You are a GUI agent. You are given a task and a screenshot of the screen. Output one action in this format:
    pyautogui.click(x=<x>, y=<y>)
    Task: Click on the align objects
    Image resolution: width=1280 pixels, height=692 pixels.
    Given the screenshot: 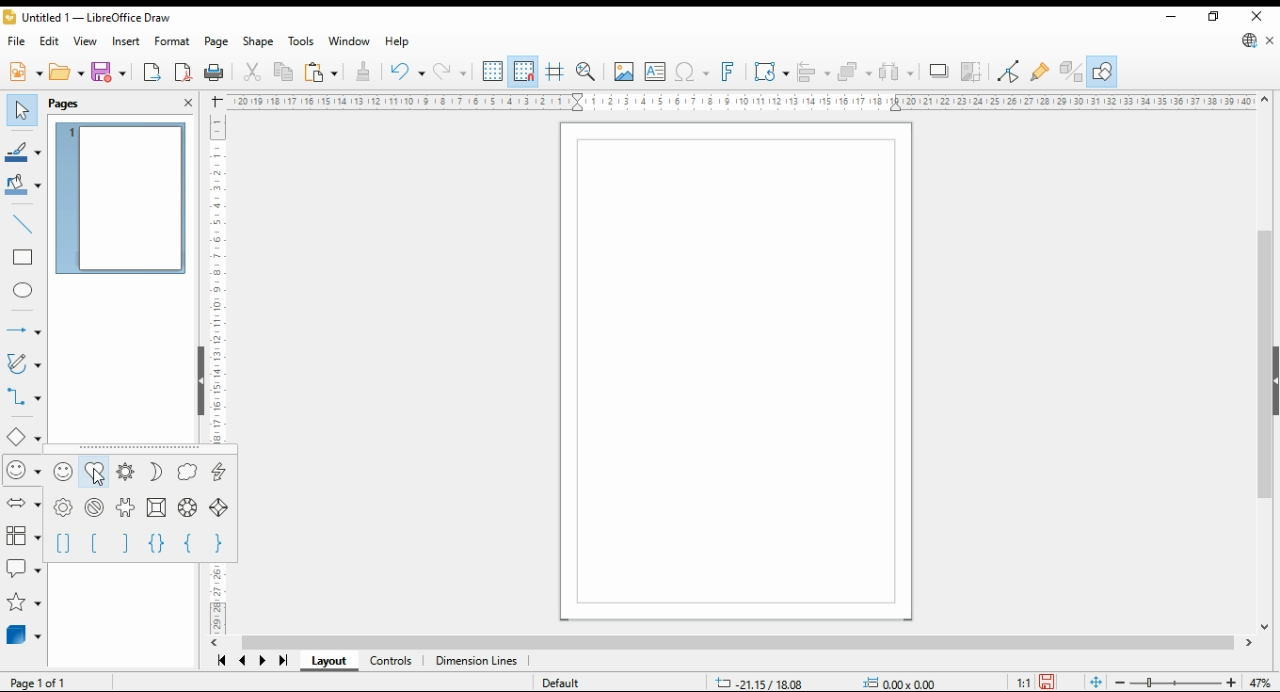 What is the action you would take?
    pyautogui.click(x=814, y=72)
    